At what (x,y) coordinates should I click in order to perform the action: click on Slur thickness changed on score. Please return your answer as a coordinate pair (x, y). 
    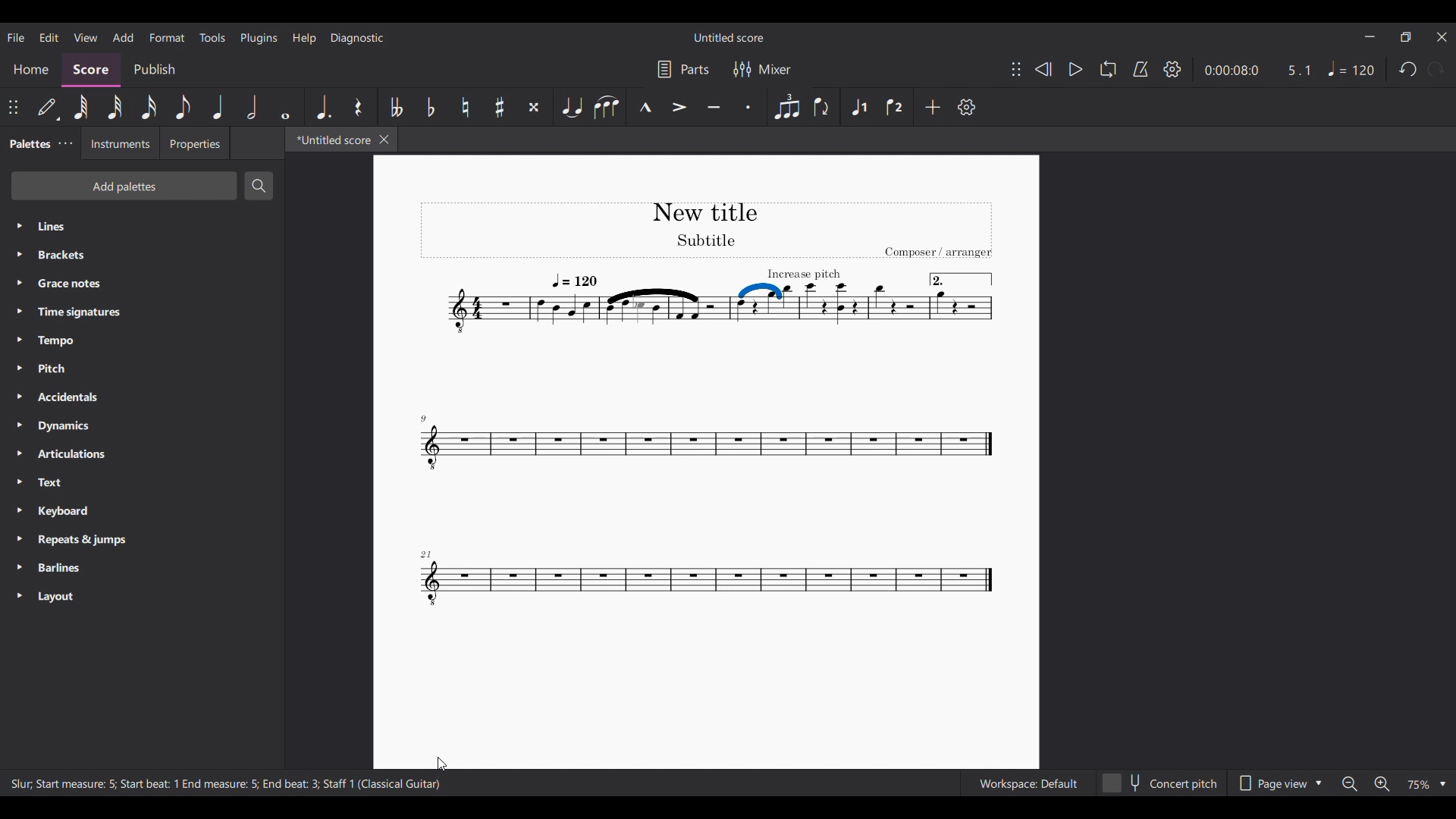
    Looking at the image, I should click on (695, 293).